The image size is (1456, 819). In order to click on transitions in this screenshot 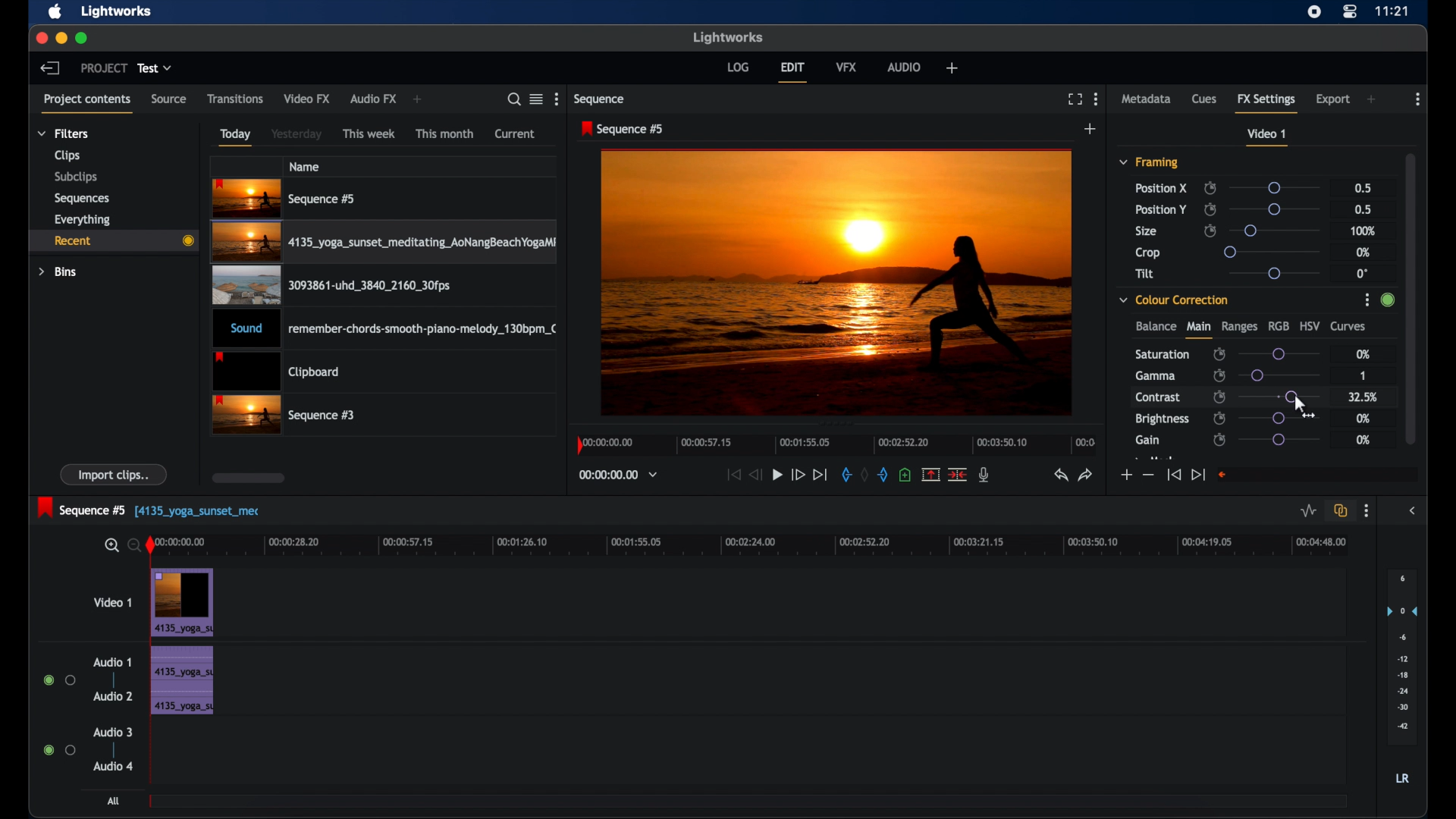, I will do `click(236, 99)`.